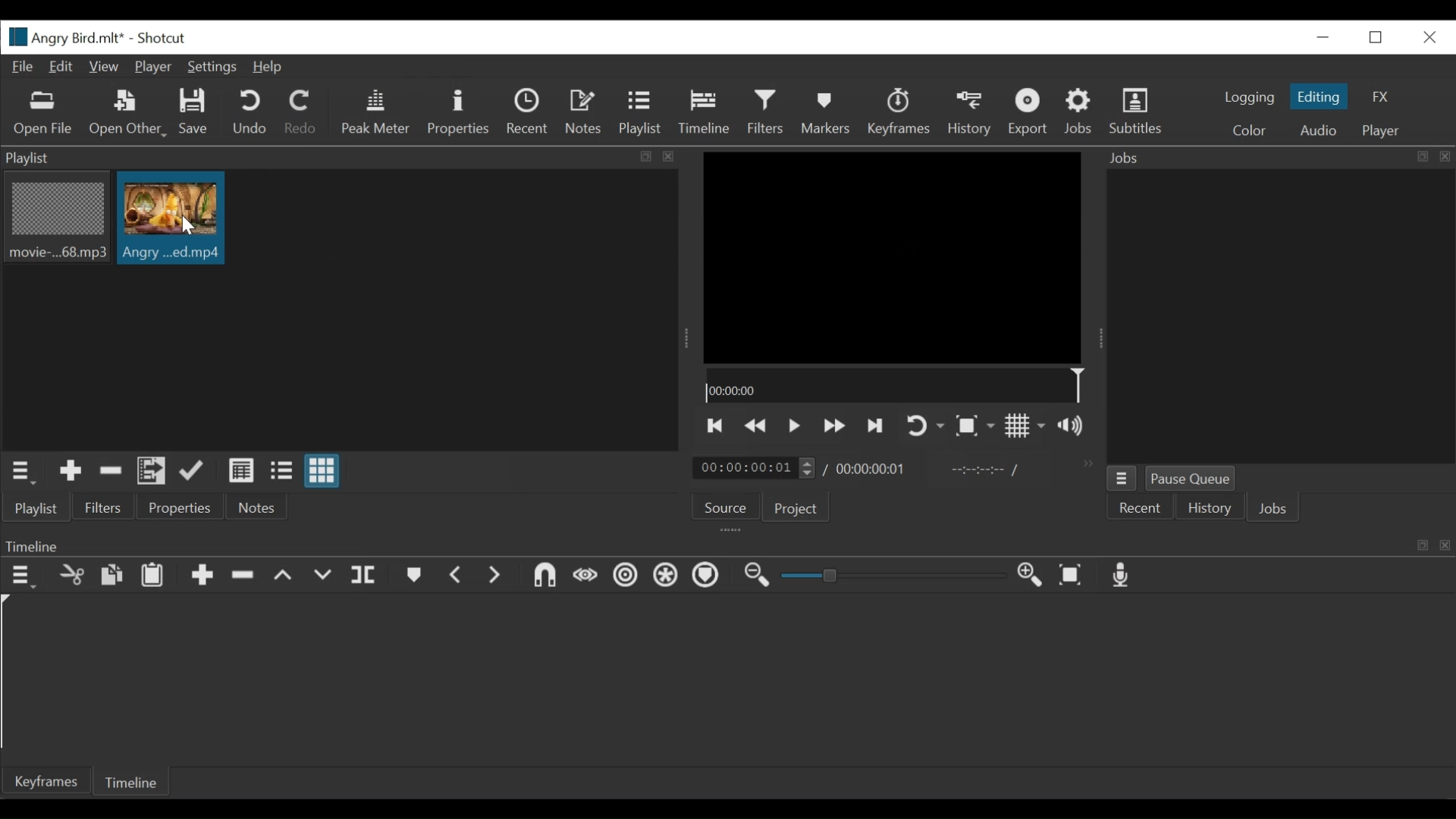 This screenshot has width=1456, height=819. Describe the element at coordinates (833, 427) in the screenshot. I see `Play quickly forward` at that location.